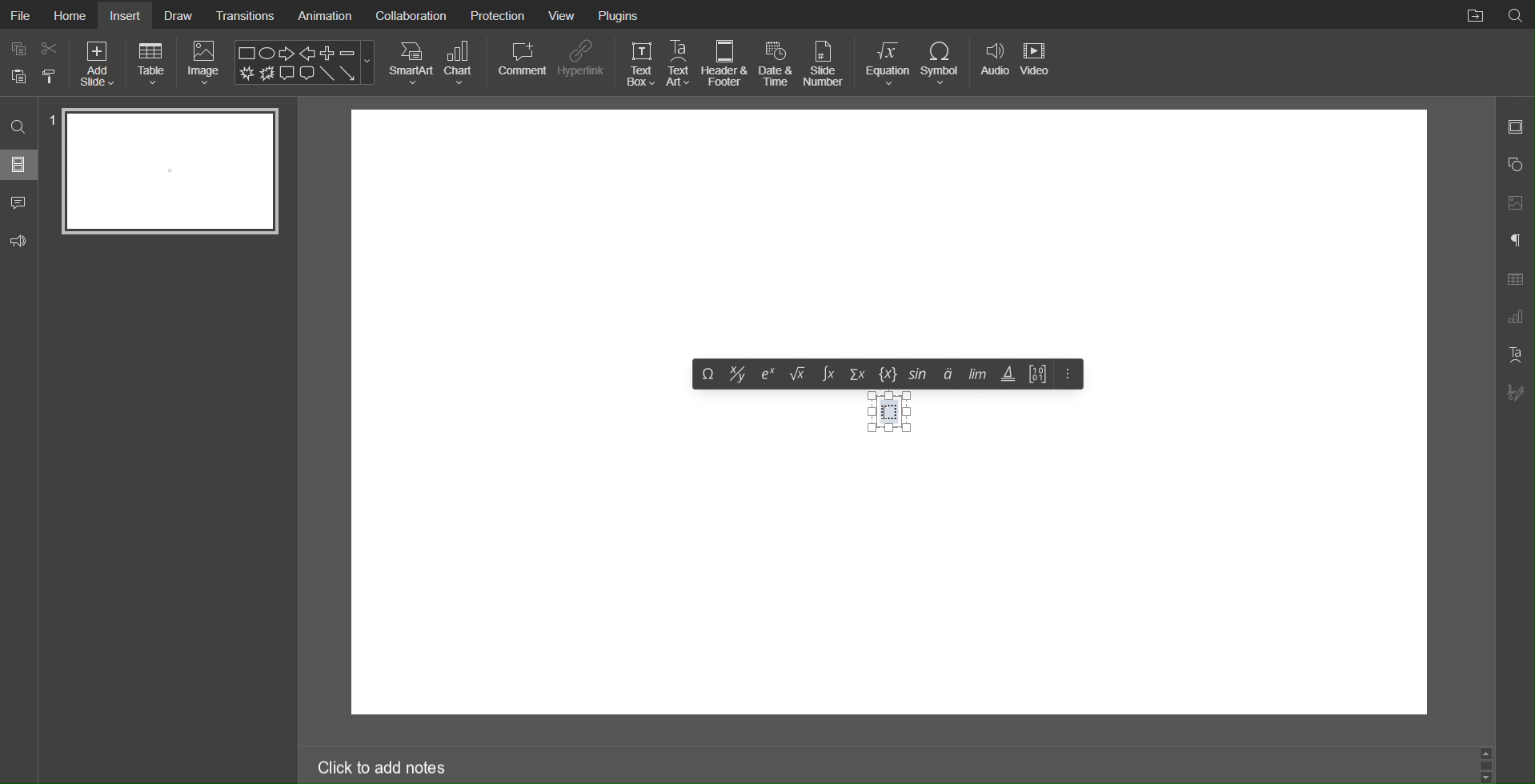 This screenshot has height=784, width=1535. What do you see at coordinates (1516, 393) in the screenshot?
I see `Signature` at bounding box center [1516, 393].